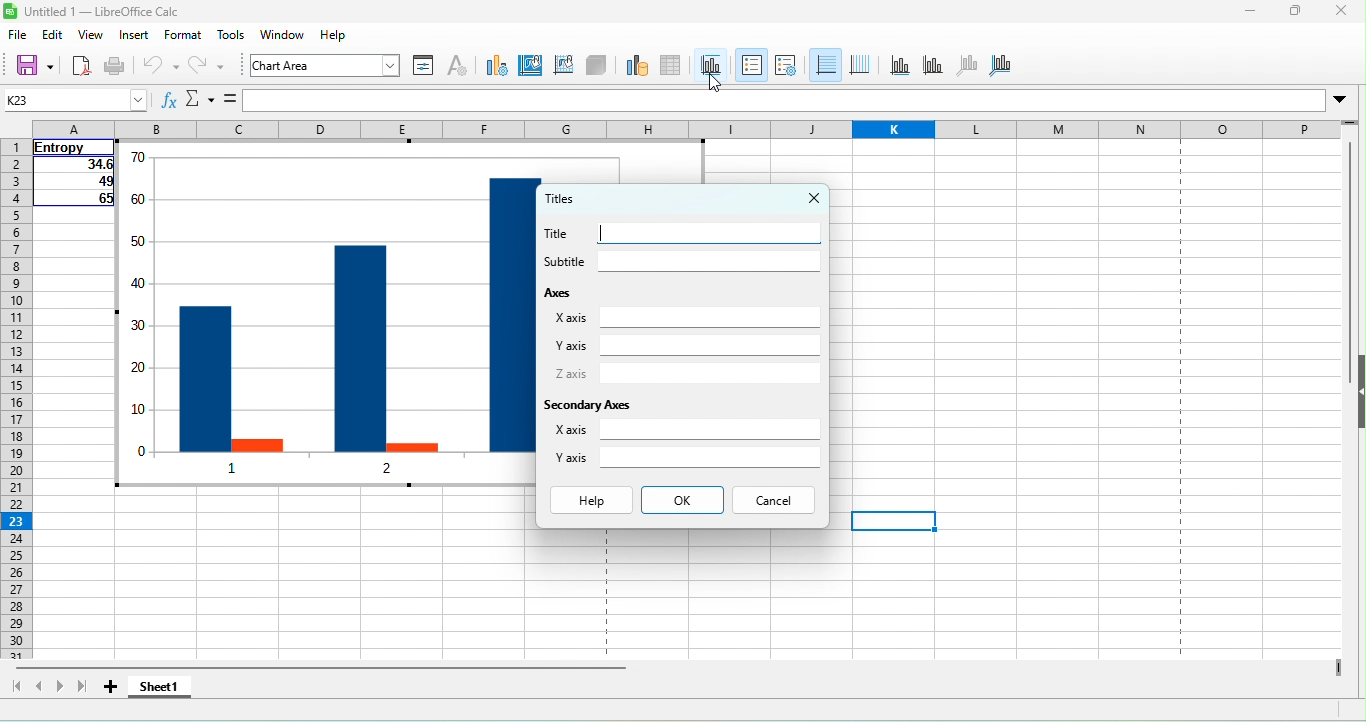 This screenshot has width=1366, height=722. Describe the element at coordinates (931, 65) in the screenshot. I see `y axis` at that location.